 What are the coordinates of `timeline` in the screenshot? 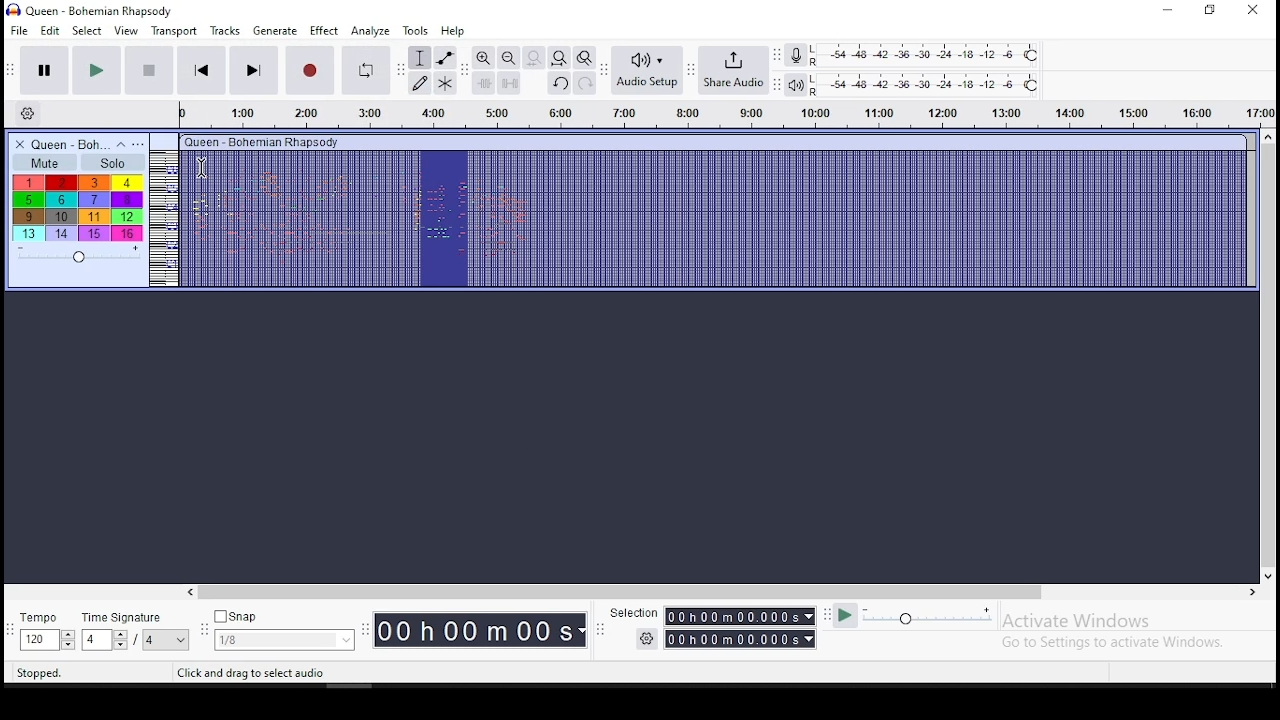 It's located at (727, 116).